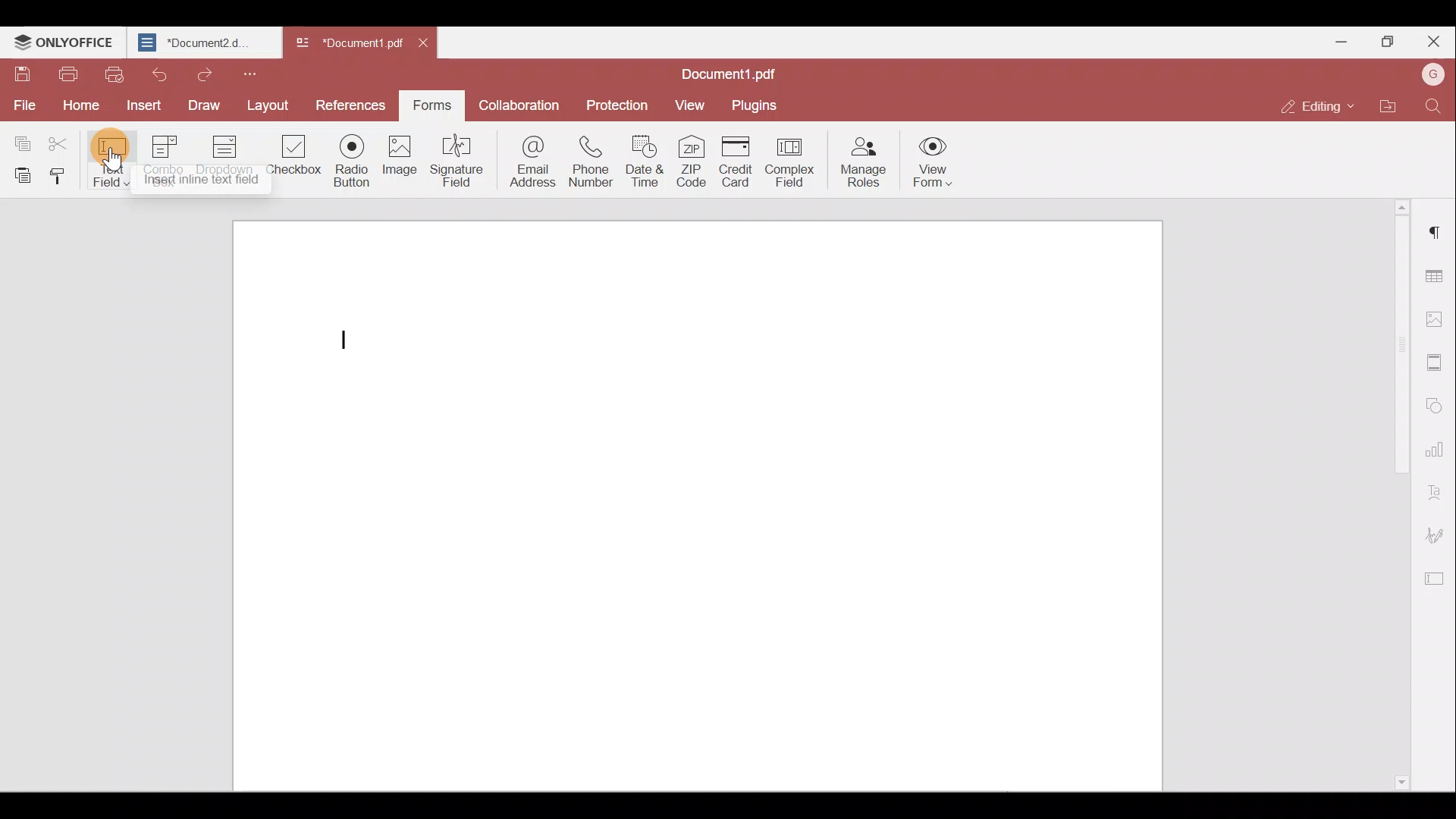 The image size is (1456, 819). Describe the element at coordinates (255, 73) in the screenshot. I see `Customize quick access toolbar` at that location.